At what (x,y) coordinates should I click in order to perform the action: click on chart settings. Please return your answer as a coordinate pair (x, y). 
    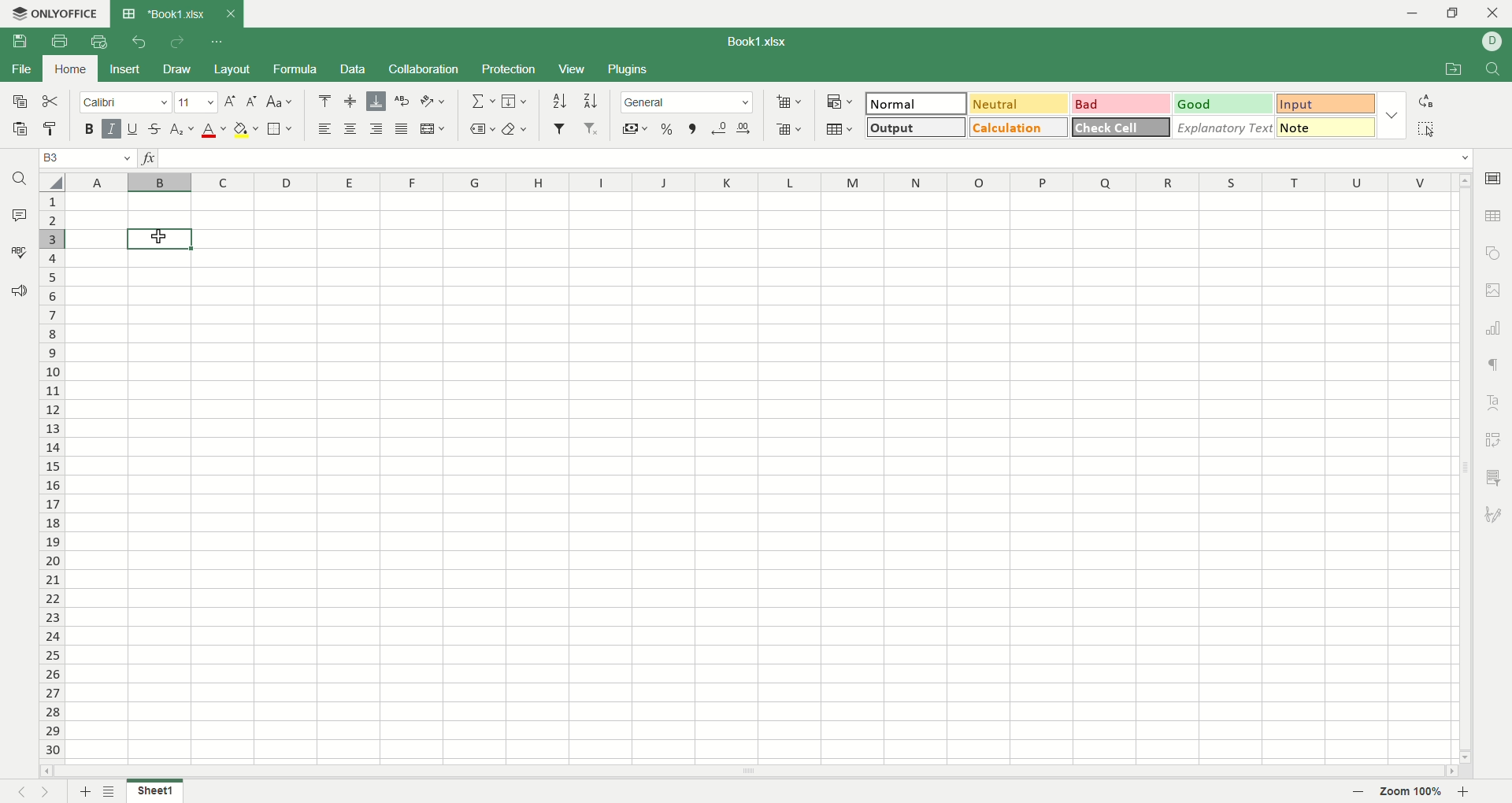
    Looking at the image, I should click on (1495, 328).